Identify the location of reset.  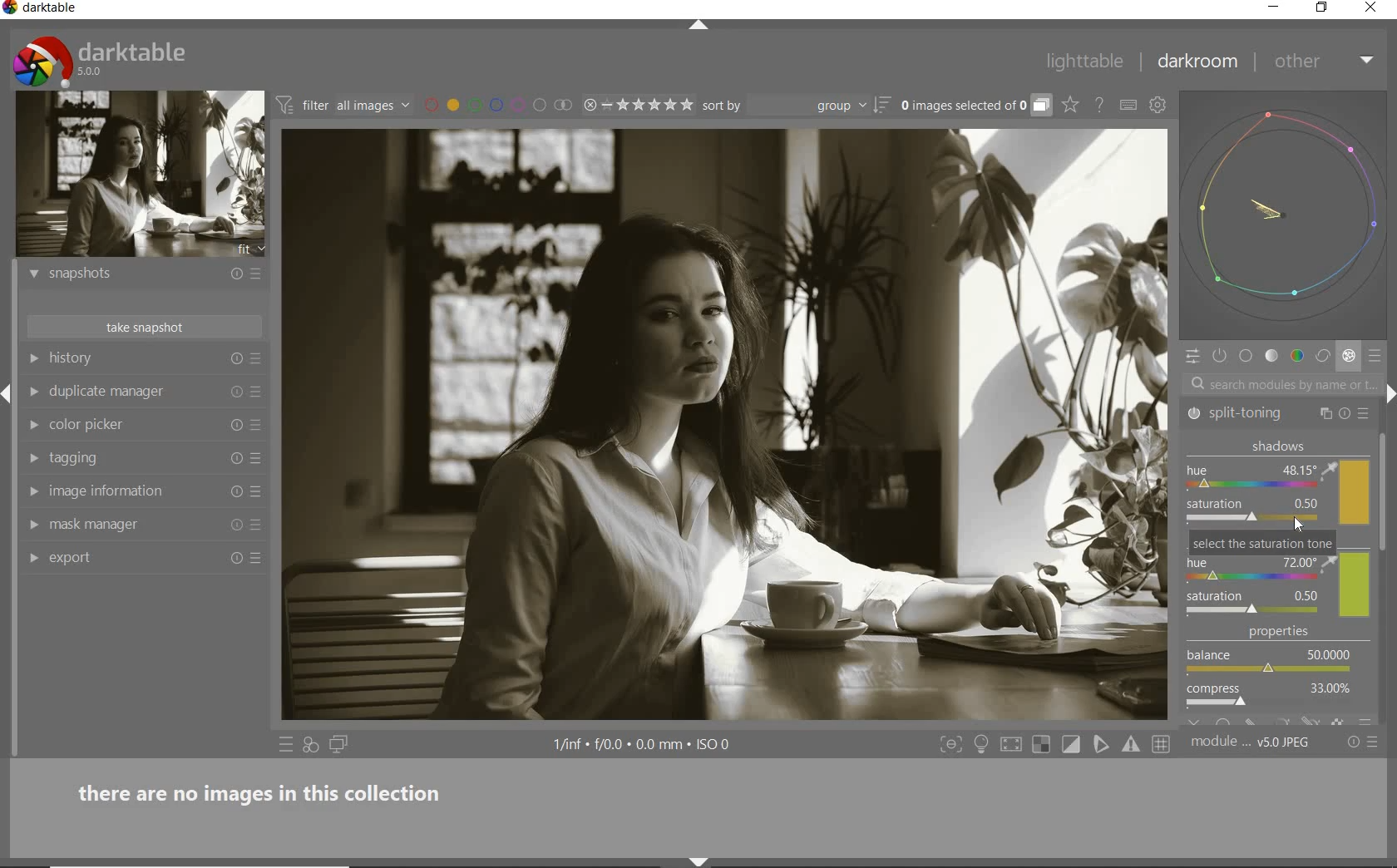
(236, 423).